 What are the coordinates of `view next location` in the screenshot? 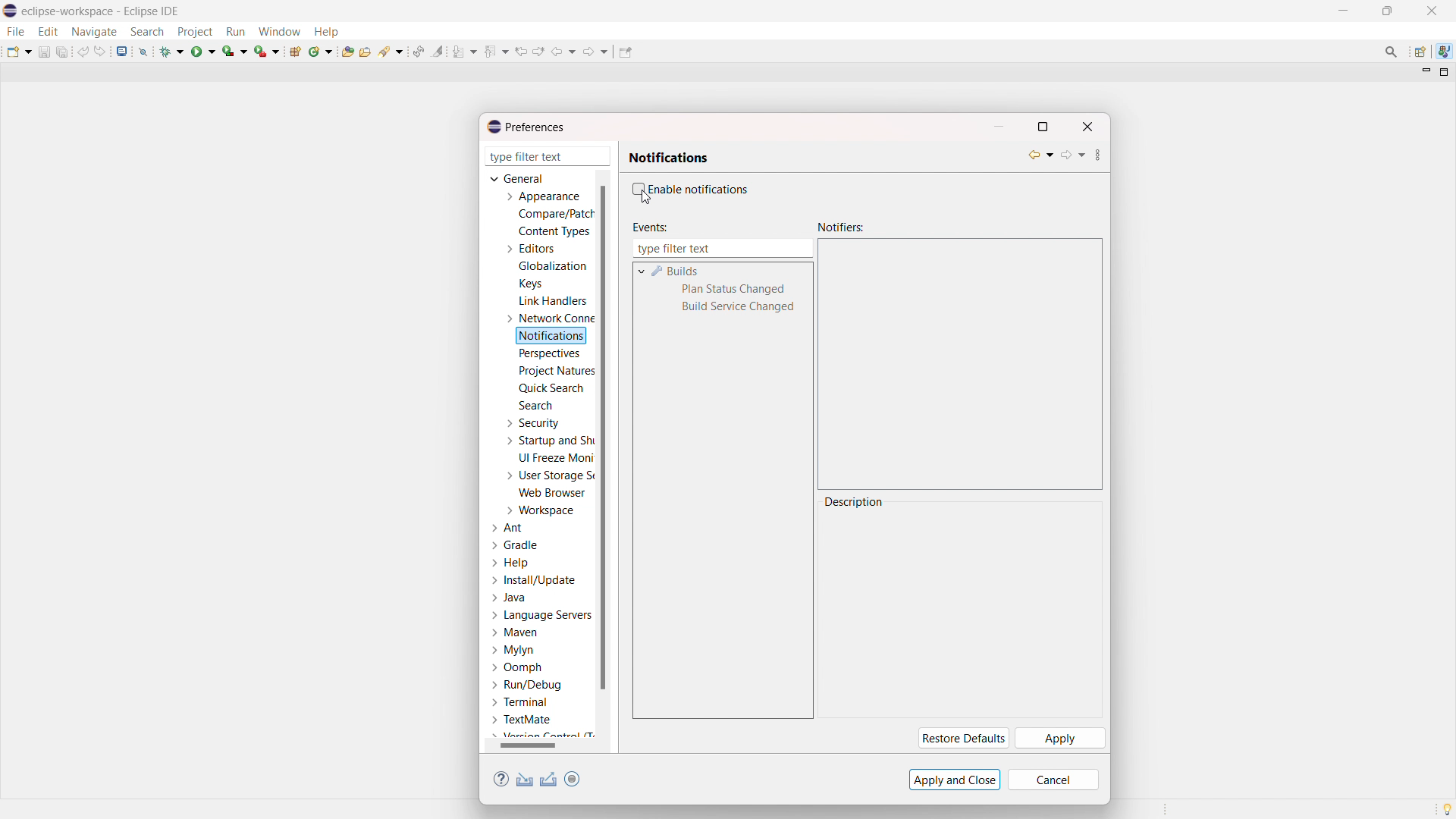 It's located at (538, 50).